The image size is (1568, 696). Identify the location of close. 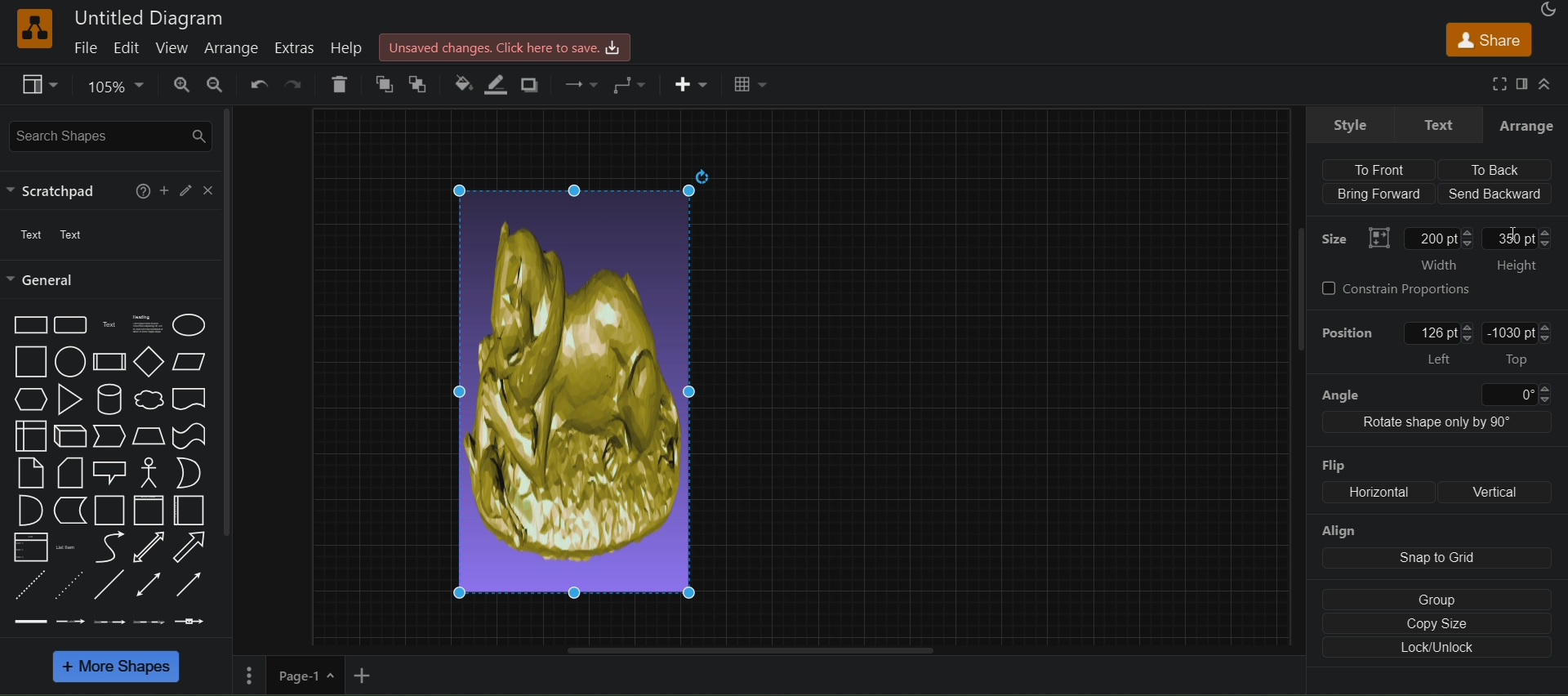
(209, 190).